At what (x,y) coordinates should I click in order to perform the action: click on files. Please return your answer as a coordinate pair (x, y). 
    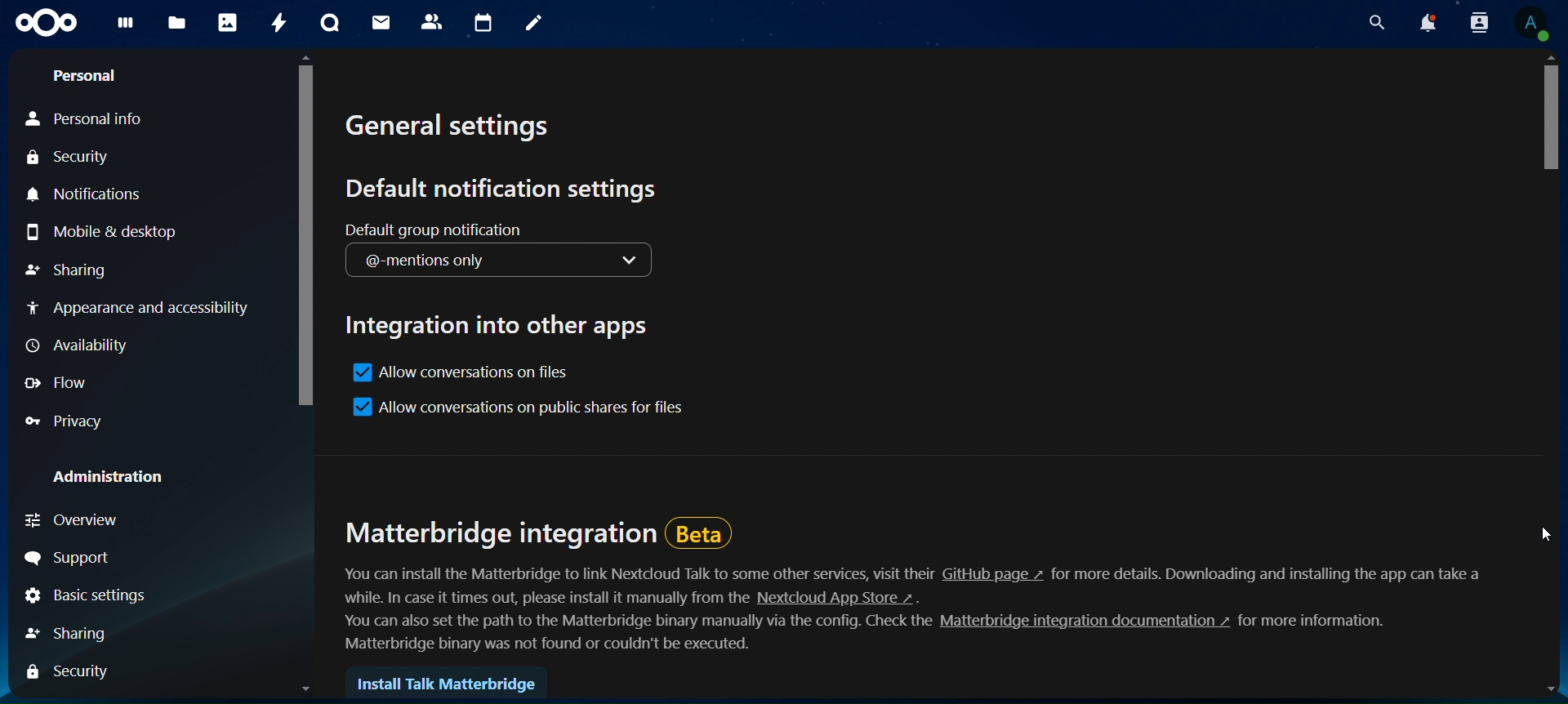
    Looking at the image, I should click on (176, 24).